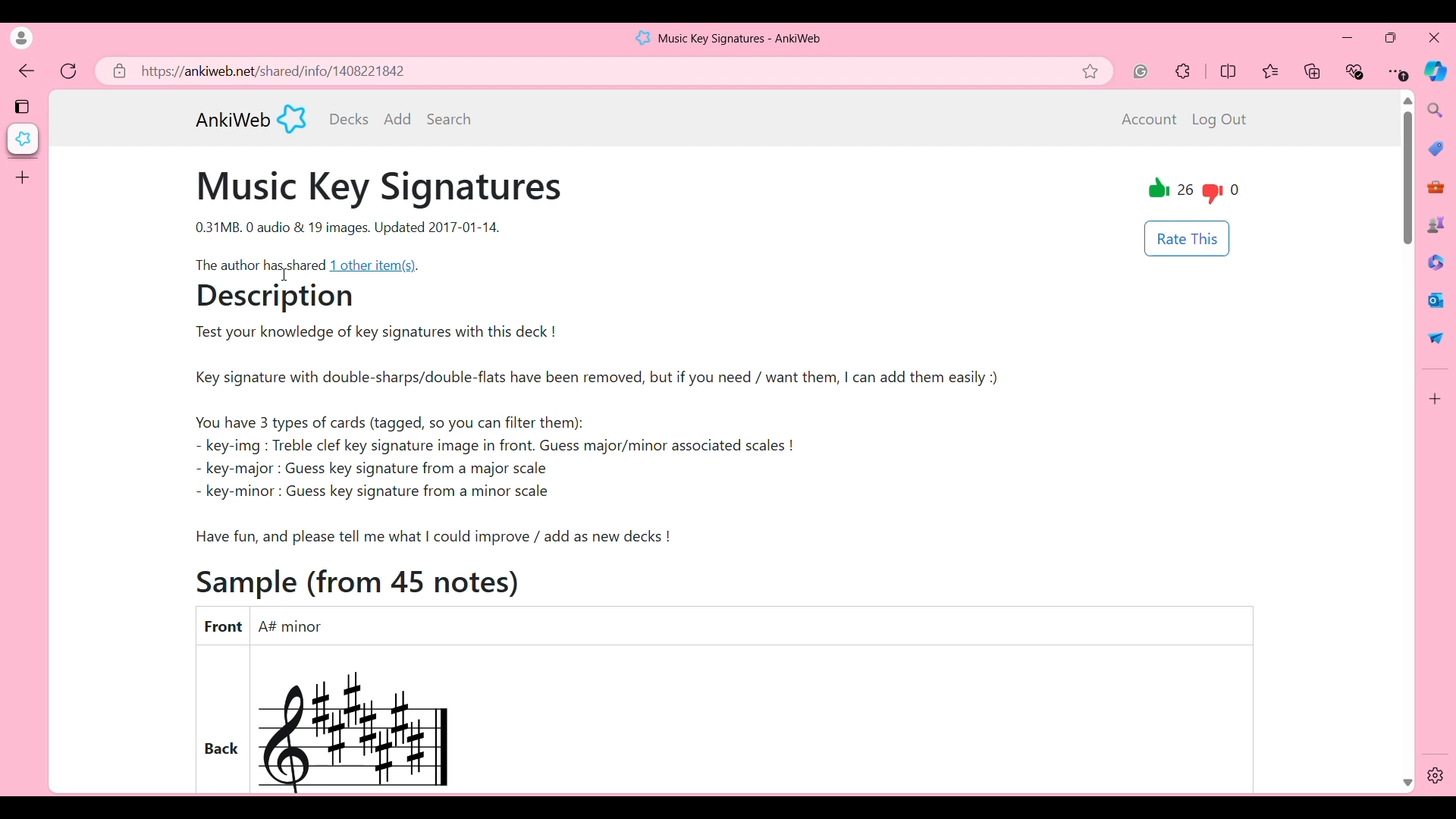 This screenshot has width=1456, height=819. I want to click on Browser documents, so click(1435, 262).